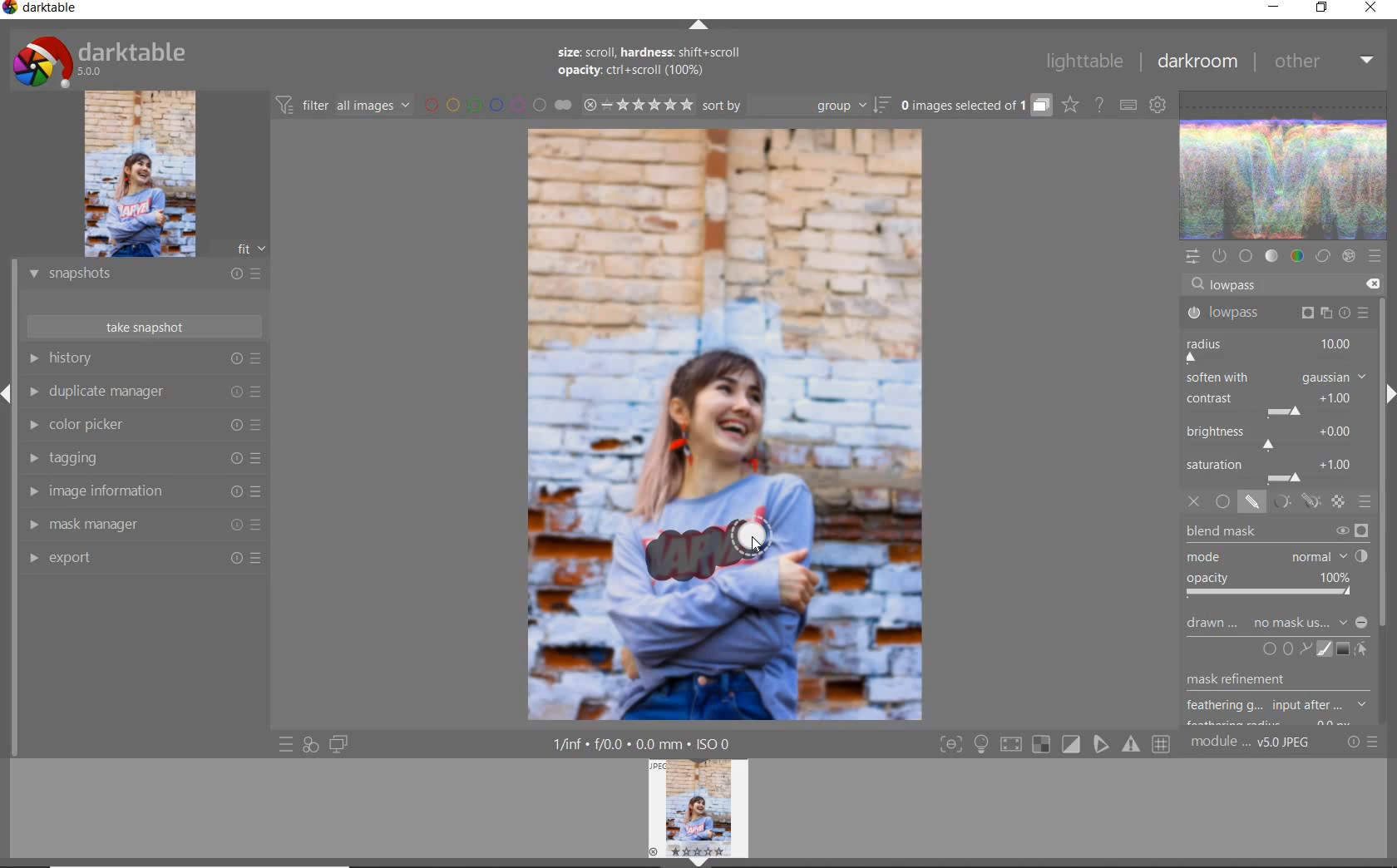 The height and width of the screenshot is (868, 1397). Describe the element at coordinates (1322, 9) in the screenshot. I see `restore` at that location.